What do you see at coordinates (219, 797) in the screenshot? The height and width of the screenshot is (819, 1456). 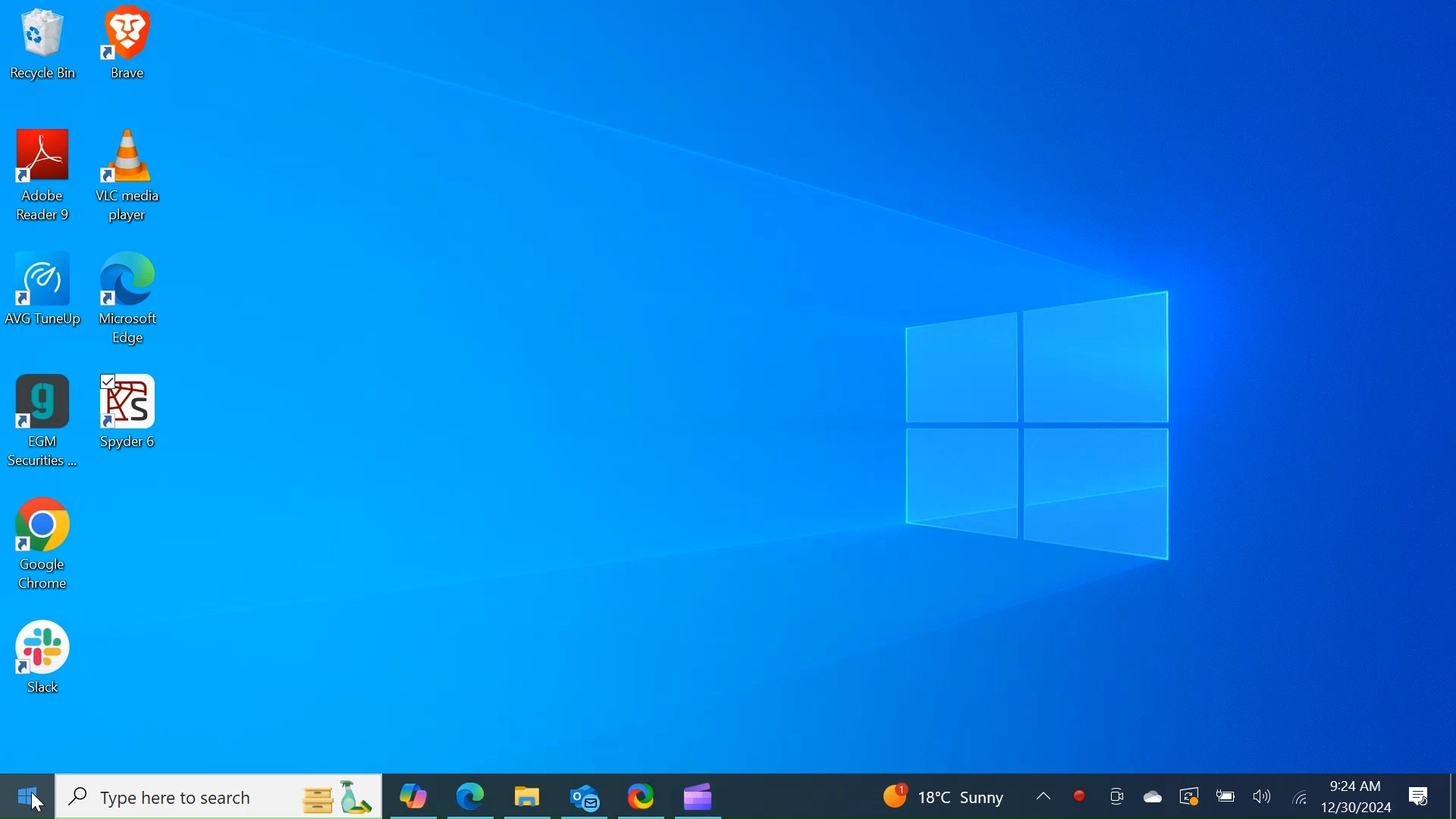 I see `Search` at bounding box center [219, 797].